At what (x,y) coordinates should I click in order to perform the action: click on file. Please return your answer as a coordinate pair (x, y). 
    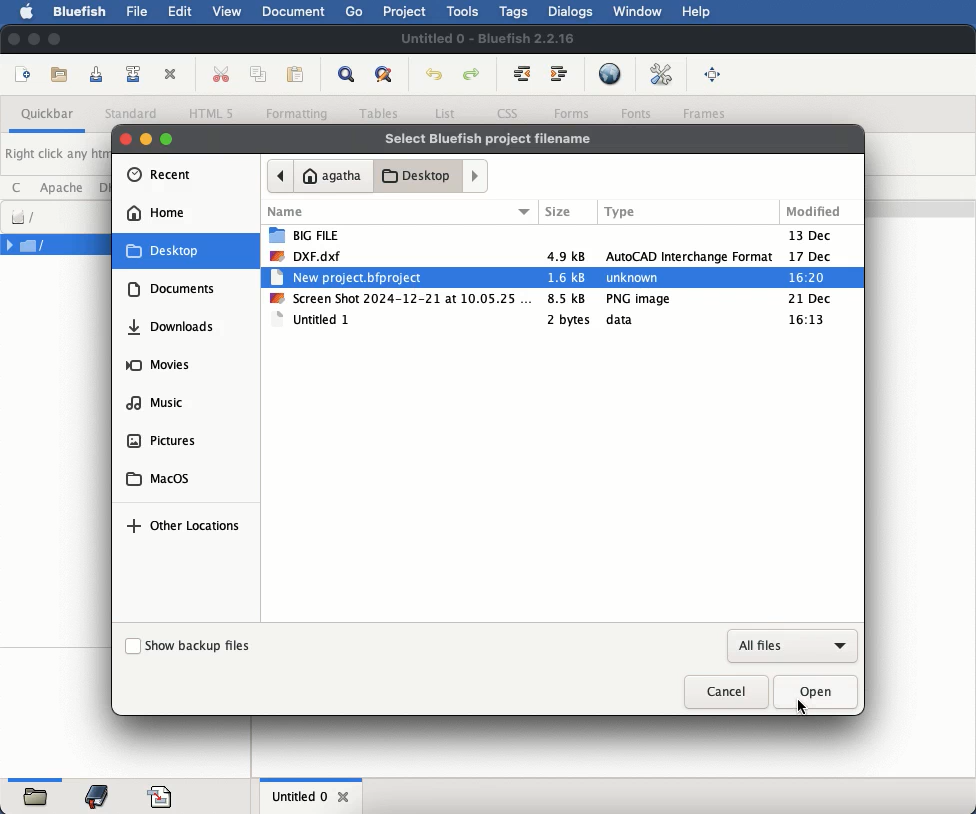
    Looking at the image, I should click on (56, 245).